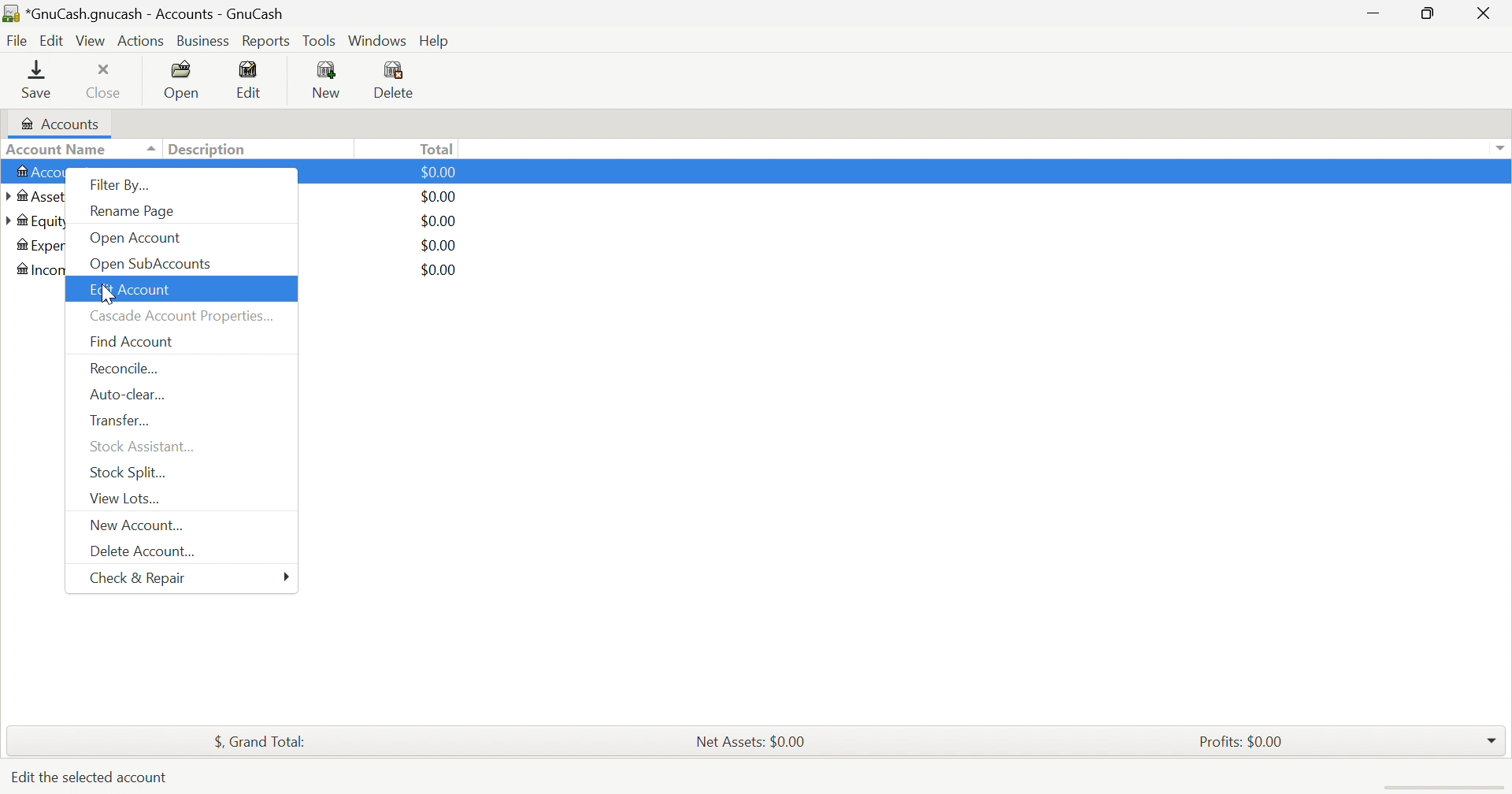 Image resolution: width=1512 pixels, height=794 pixels. Describe the element at coordinates (58, 150) in the screenshot. I see `Account Name` at that location.